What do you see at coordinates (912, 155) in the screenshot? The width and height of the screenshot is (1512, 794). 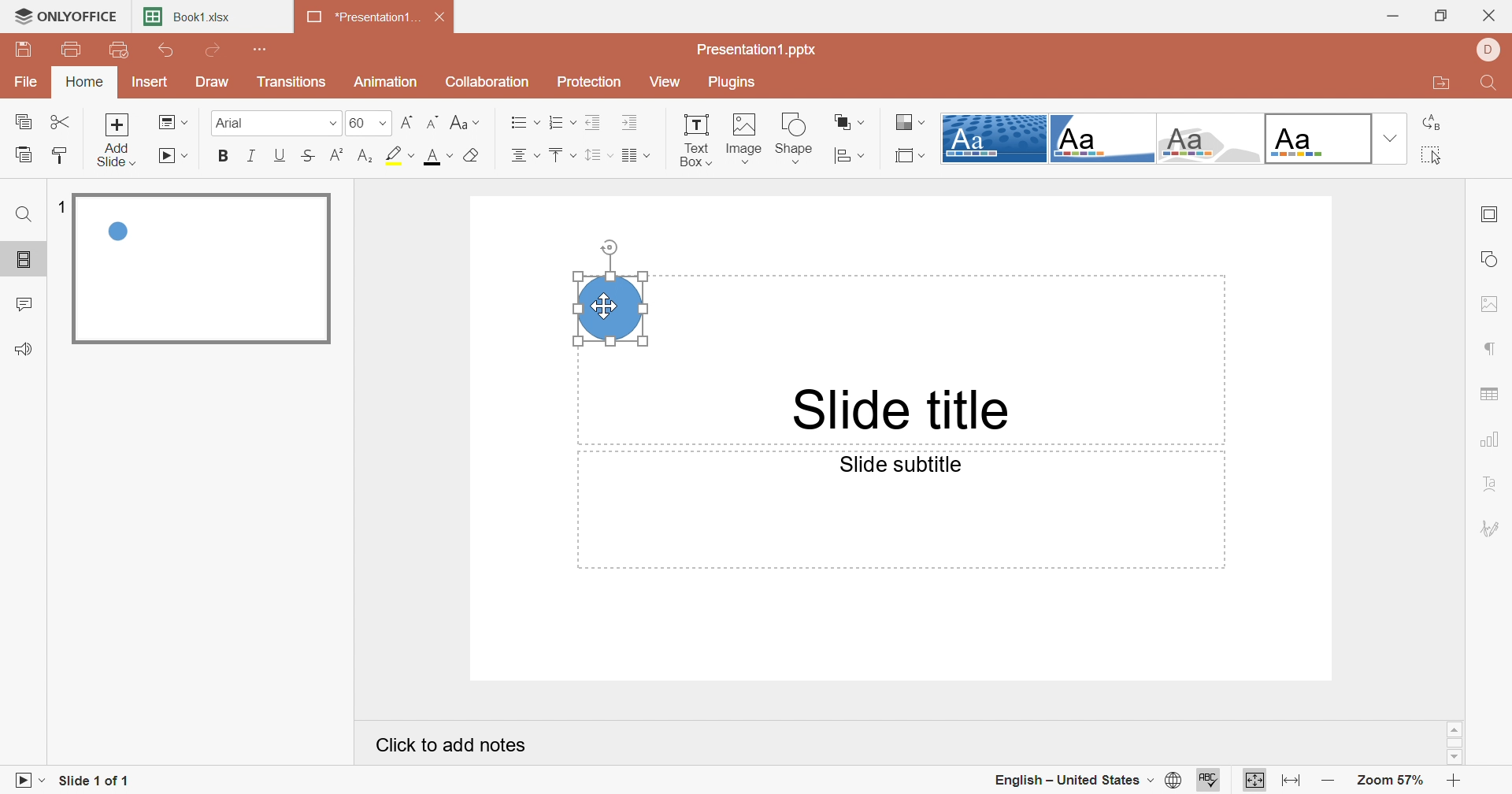 I see `Select slide size` at bounding box center [912, 155].